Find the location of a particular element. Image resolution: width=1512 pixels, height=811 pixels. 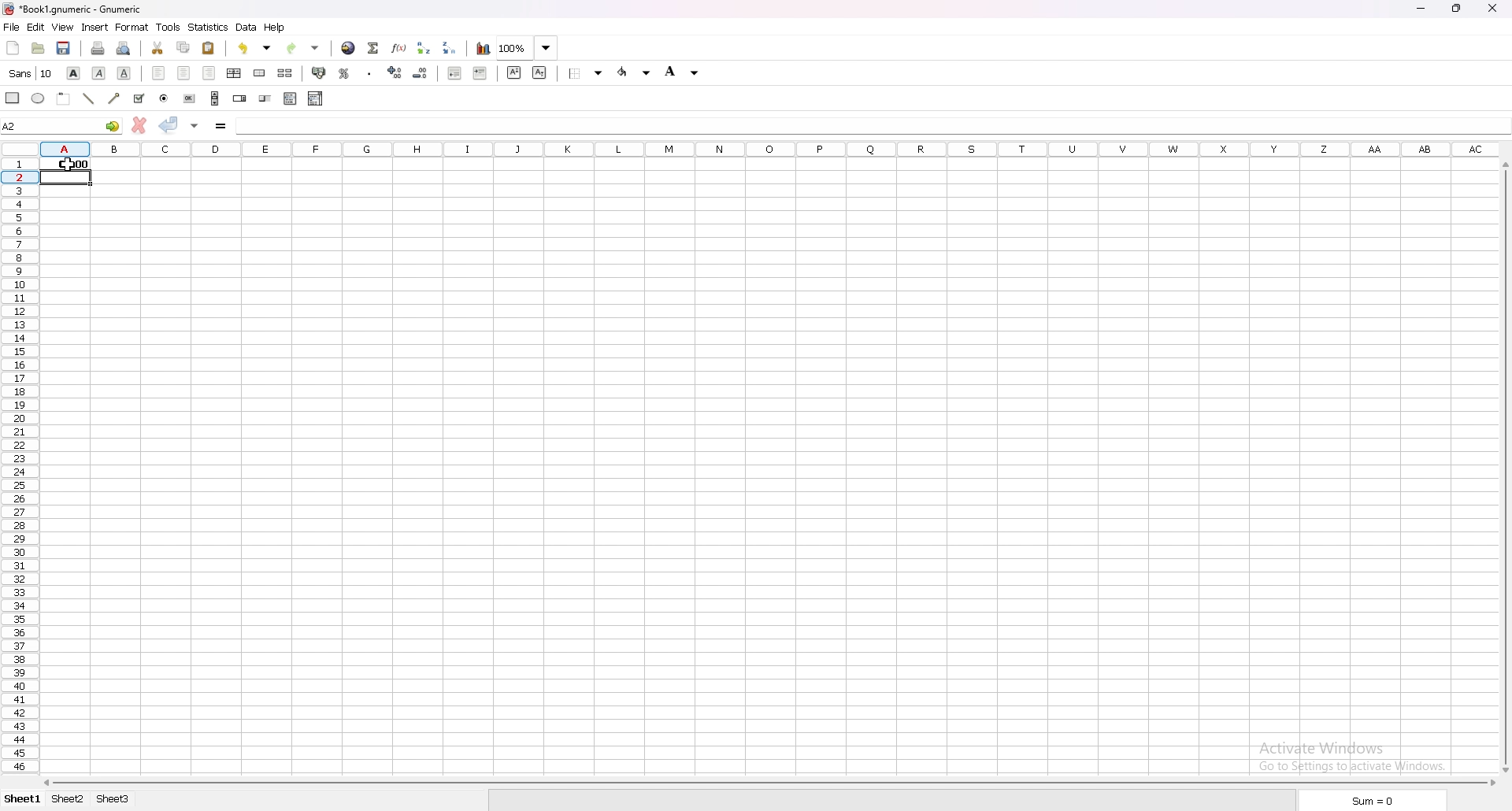

increase decimal is located at coordinates (394, 72).